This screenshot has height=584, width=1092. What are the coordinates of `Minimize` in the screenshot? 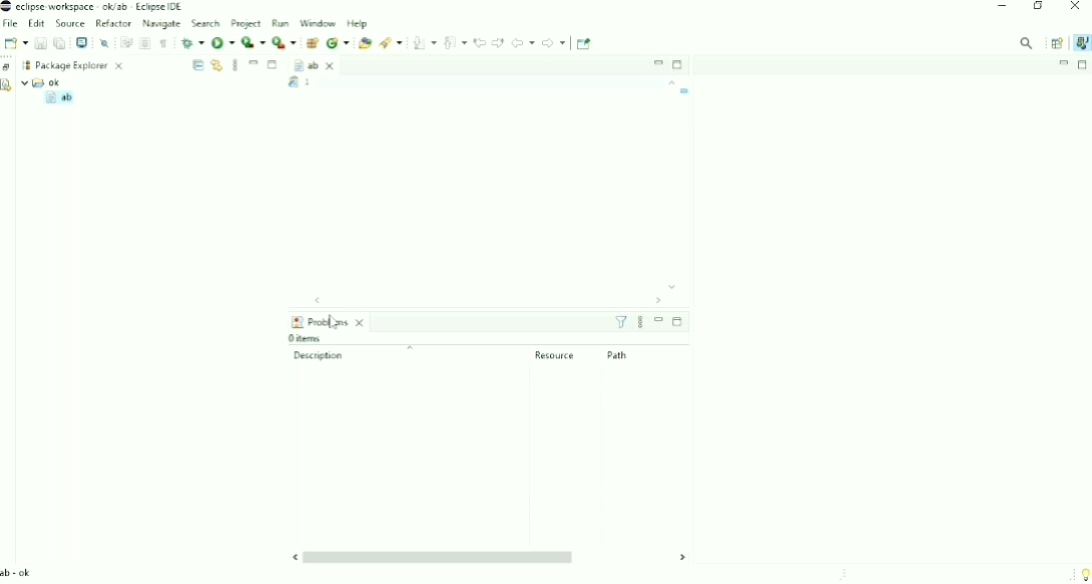 It's located at (1002, 6).